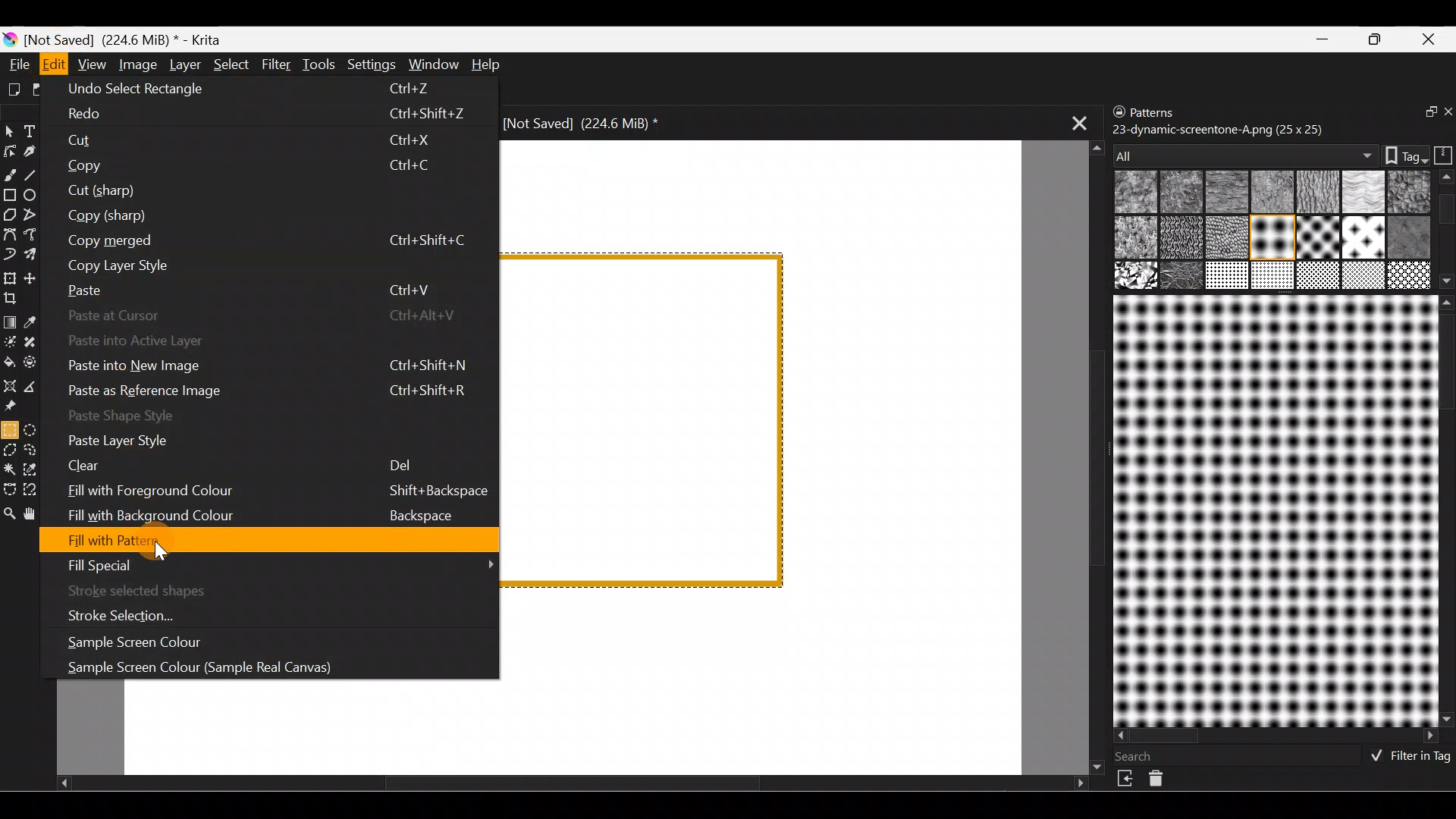 Image resolution: width=1456 pixels, height=819 pixels. What do you see at coordinates (92, 63) in the screenshot?
I see `View` at bounding box center [92, 63].